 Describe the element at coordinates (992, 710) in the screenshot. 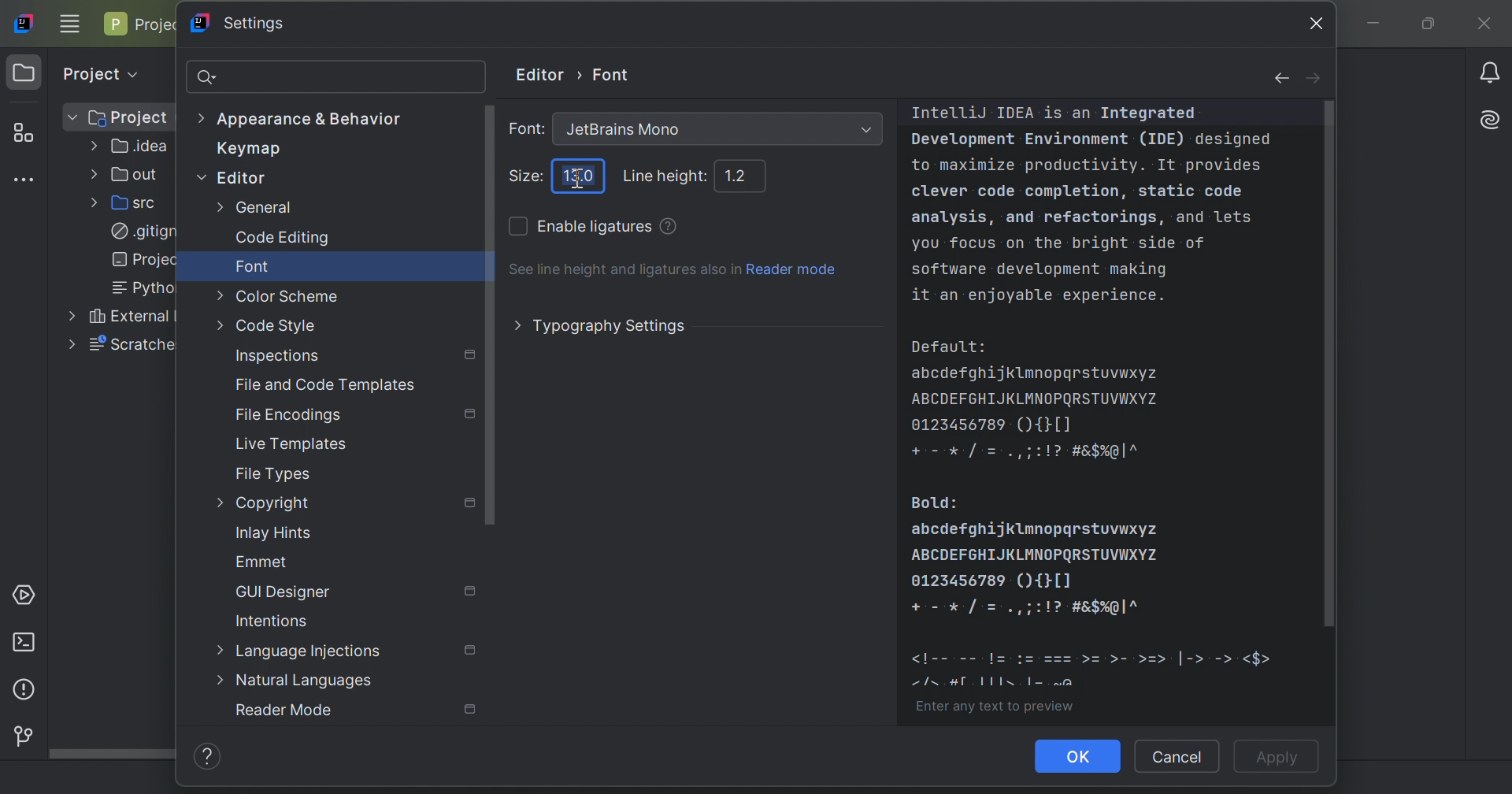

I see `Enter any text to preview` at that location.